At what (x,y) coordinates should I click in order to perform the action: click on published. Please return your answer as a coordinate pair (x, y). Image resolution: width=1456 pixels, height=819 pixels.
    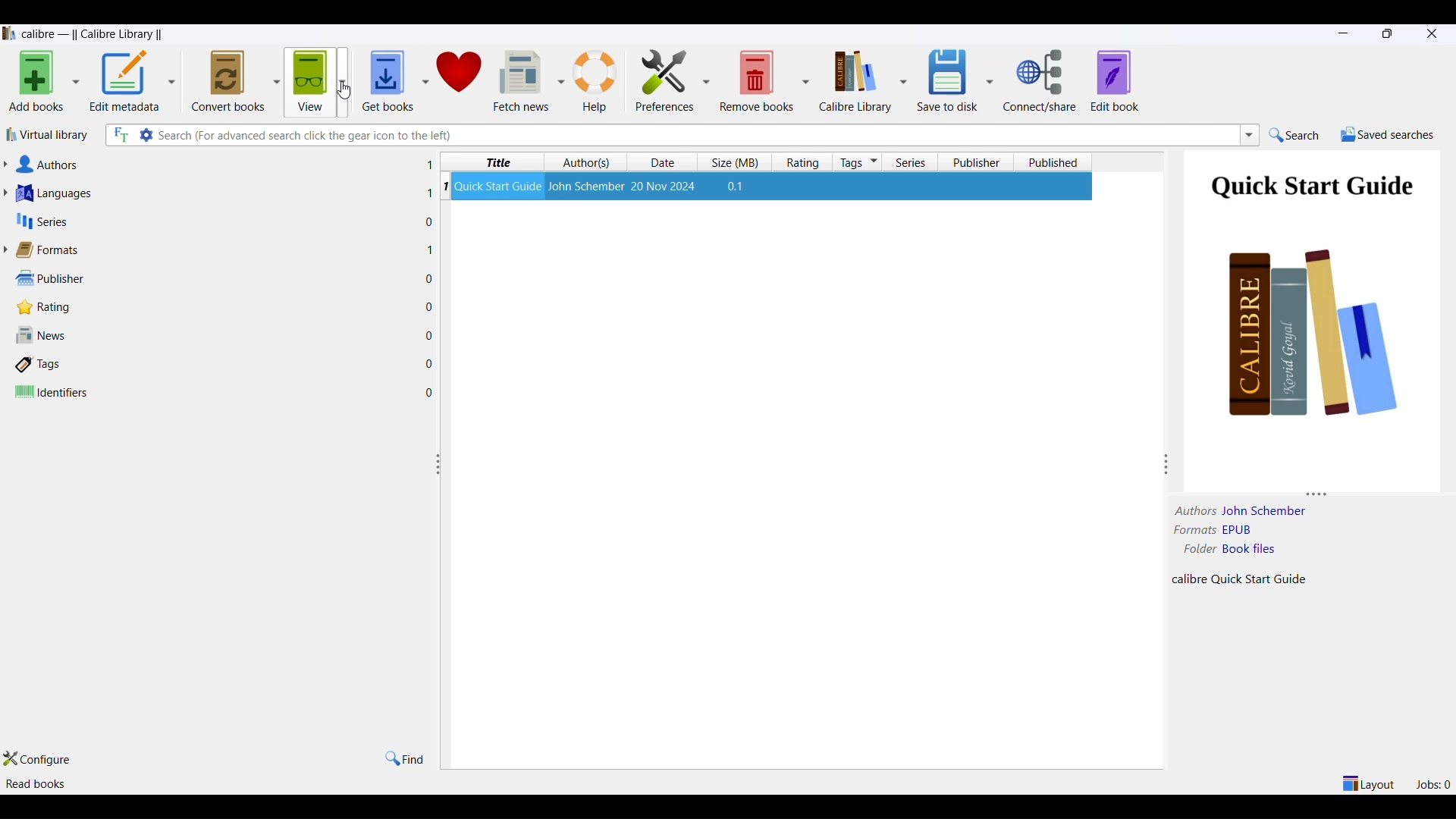
    Looking at the image, I should click on (1053, 161).